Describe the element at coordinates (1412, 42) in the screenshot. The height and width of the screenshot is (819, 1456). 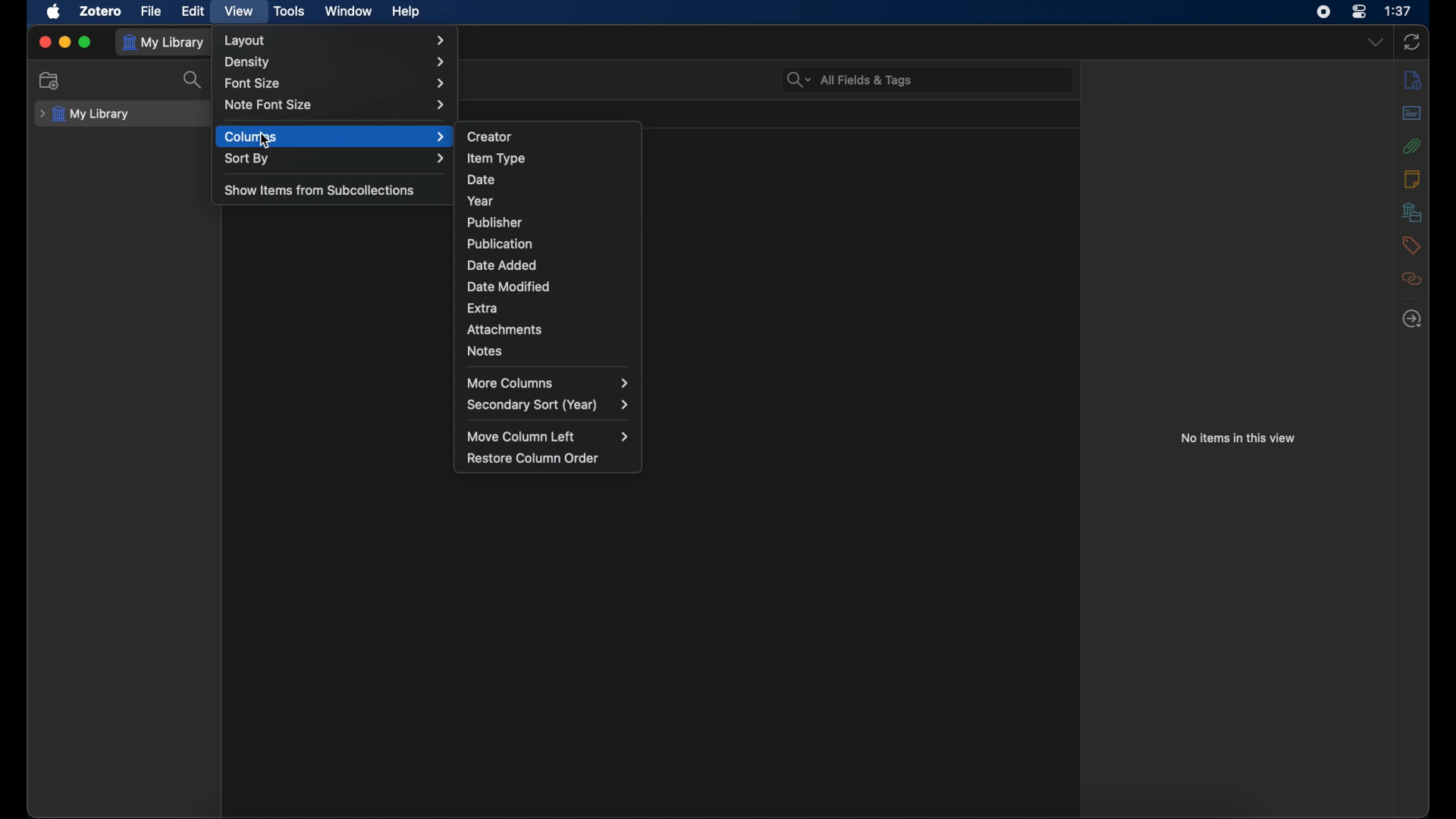
I see `sync` at that location.